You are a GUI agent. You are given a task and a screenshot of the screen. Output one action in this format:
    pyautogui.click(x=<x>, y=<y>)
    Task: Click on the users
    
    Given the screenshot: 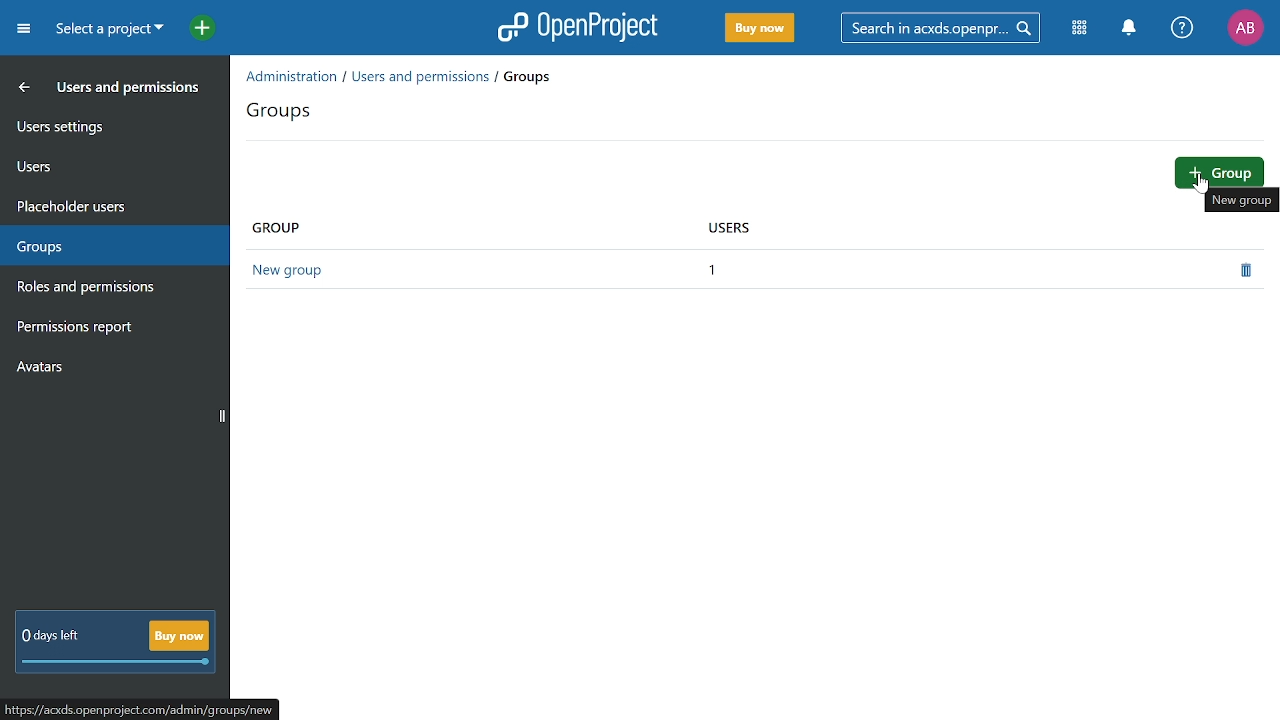 What is the action you would take?
    pyautogui.click(x=734, y=228)
    